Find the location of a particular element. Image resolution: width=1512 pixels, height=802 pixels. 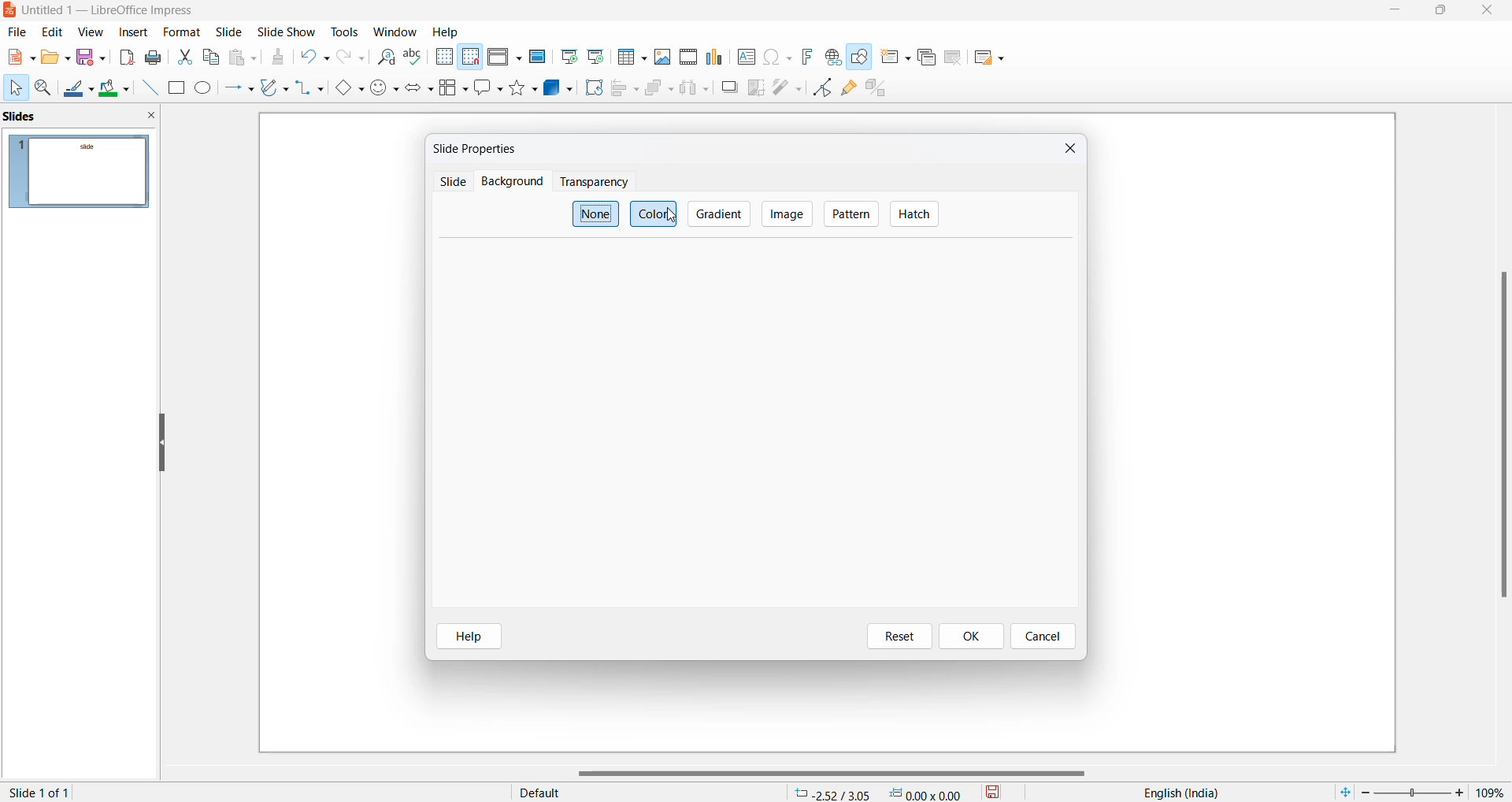

file name is located at coordinates (103, 12).